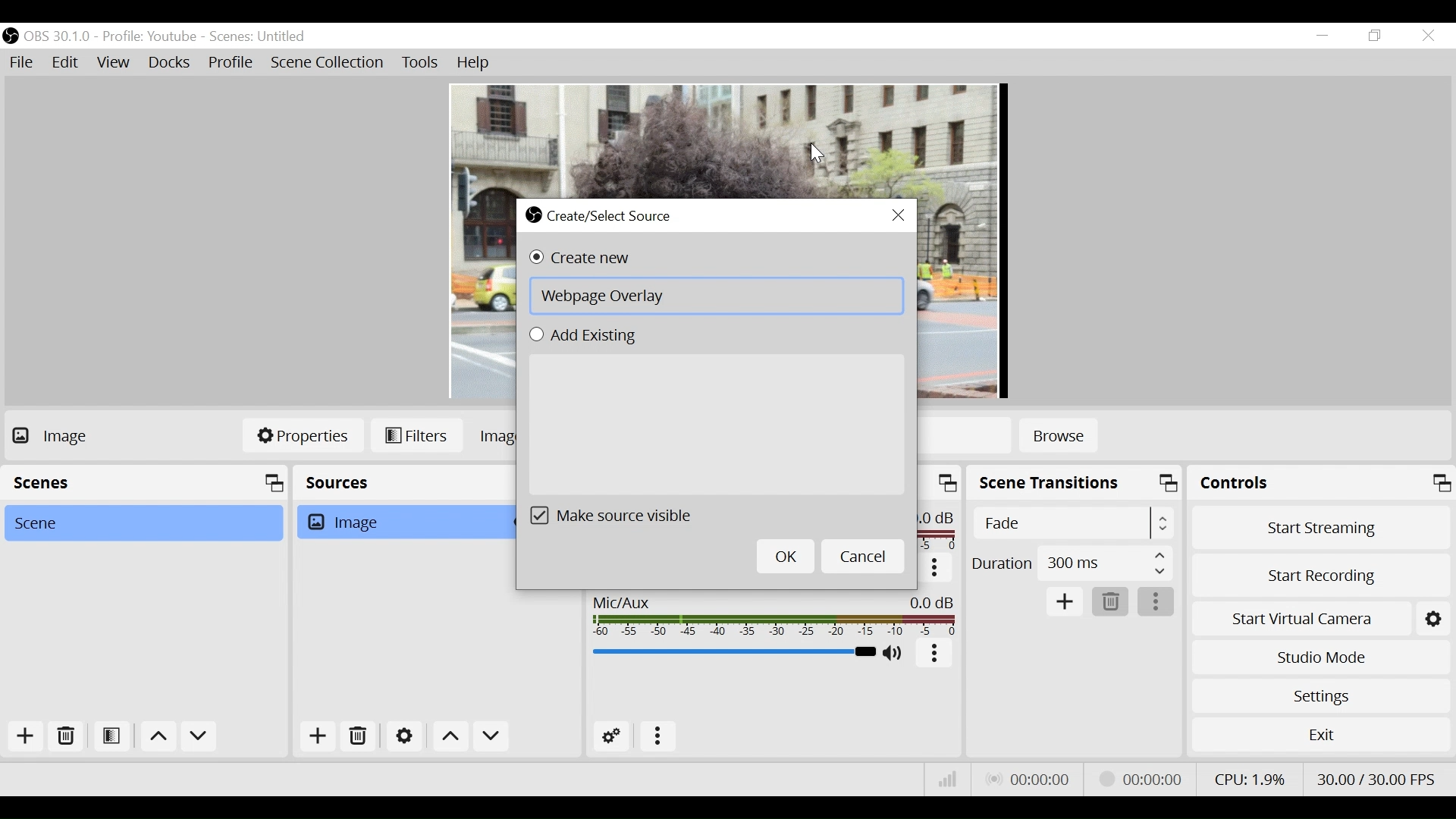 The image size is (1456, 819). Describe the element at coordinates (658, 736) in the screenshot. I see `more options` at that location.